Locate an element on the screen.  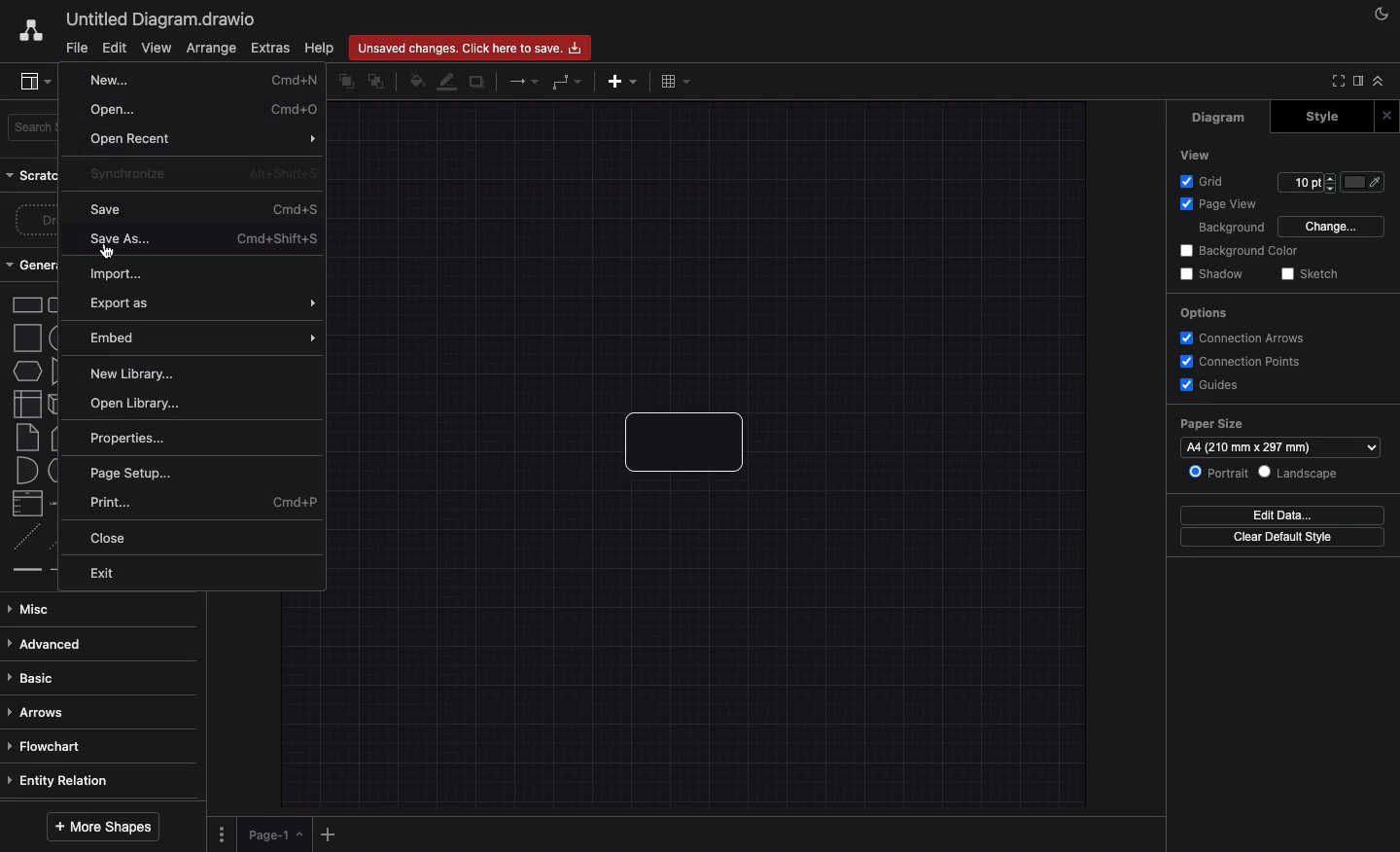
Line color is located at coordinates (449, 83).